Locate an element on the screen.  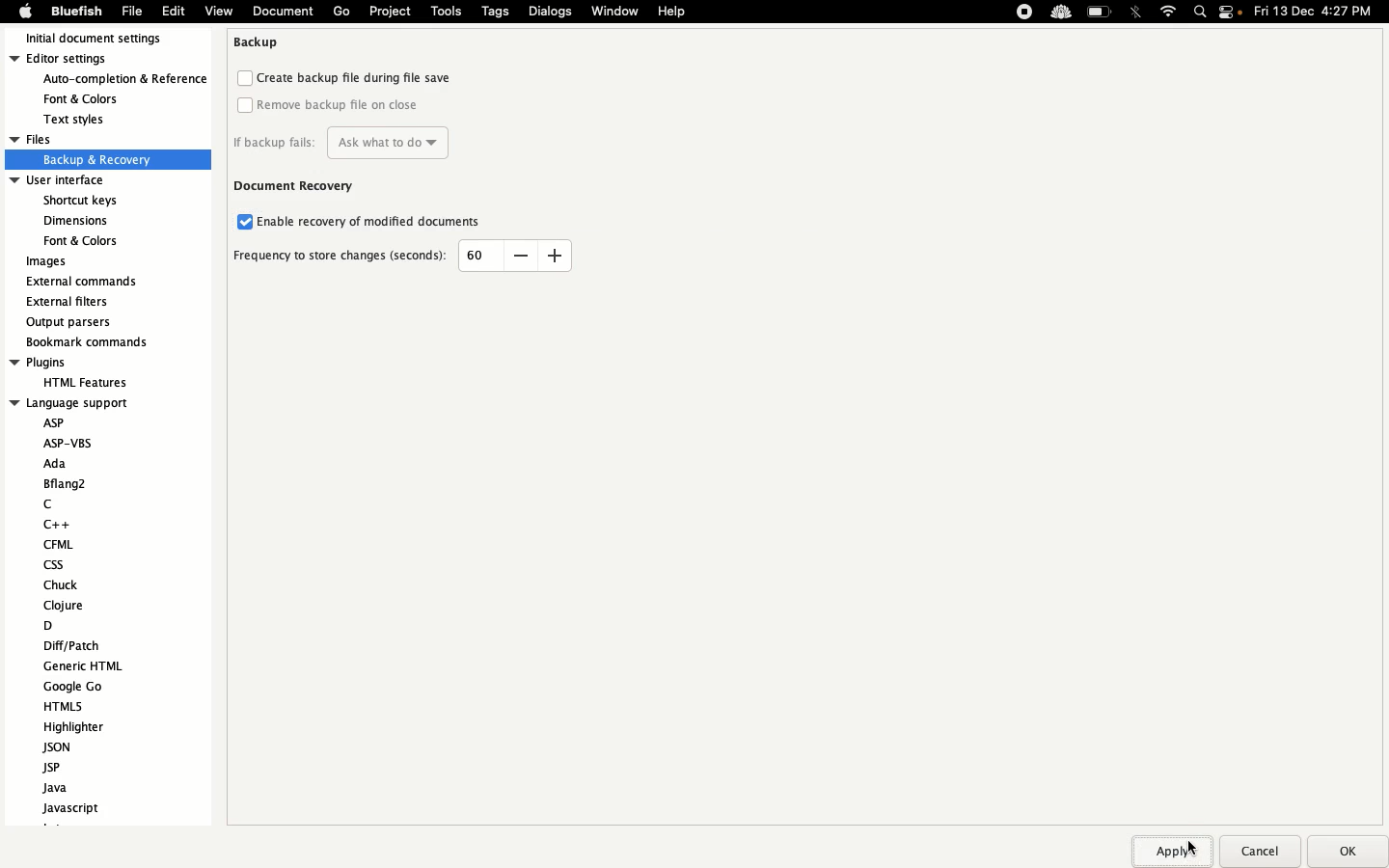
Internet is located at coordinates (1167, 11).